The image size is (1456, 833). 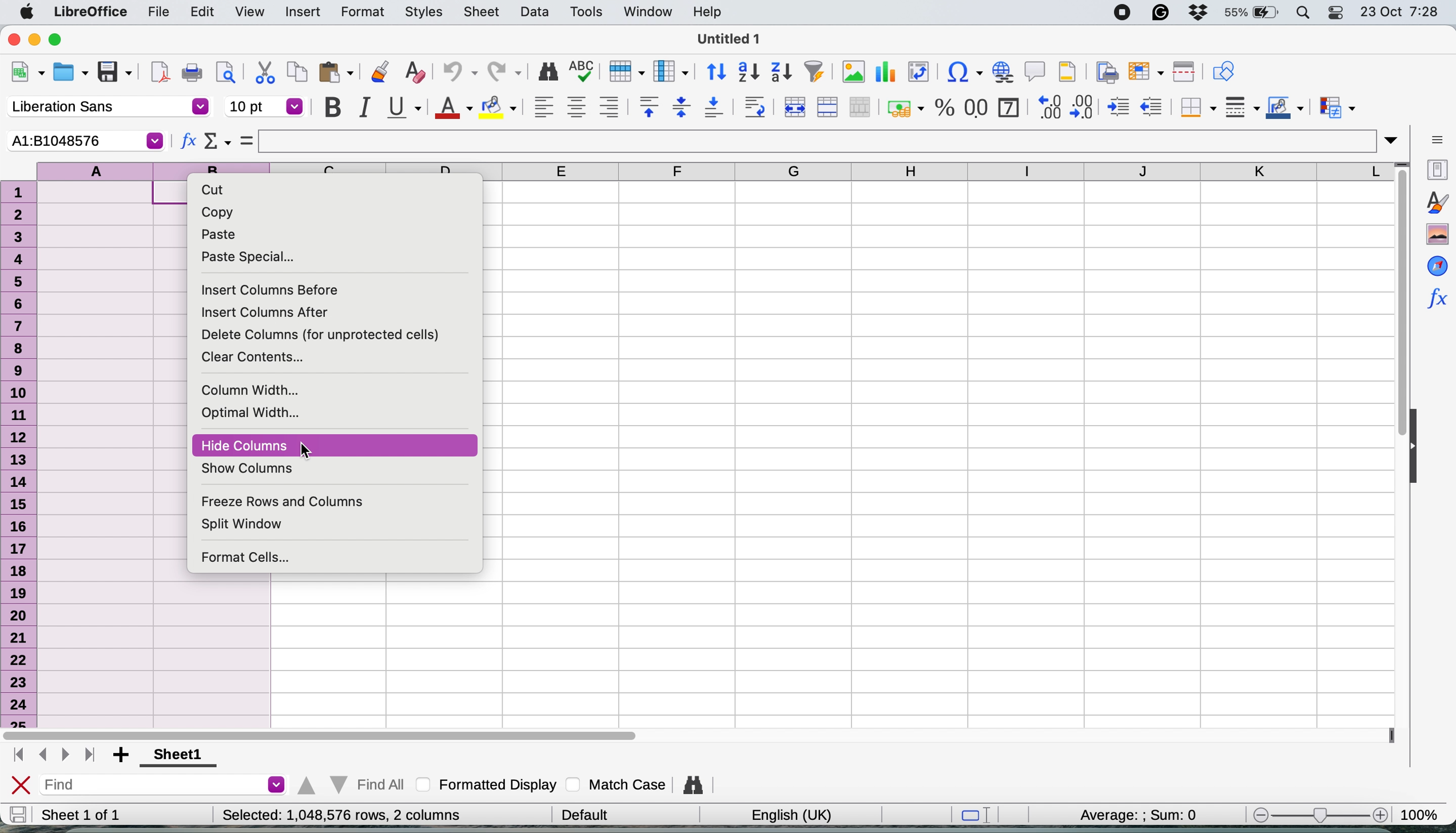 I want to click on underline, so click(x=405, y=108).